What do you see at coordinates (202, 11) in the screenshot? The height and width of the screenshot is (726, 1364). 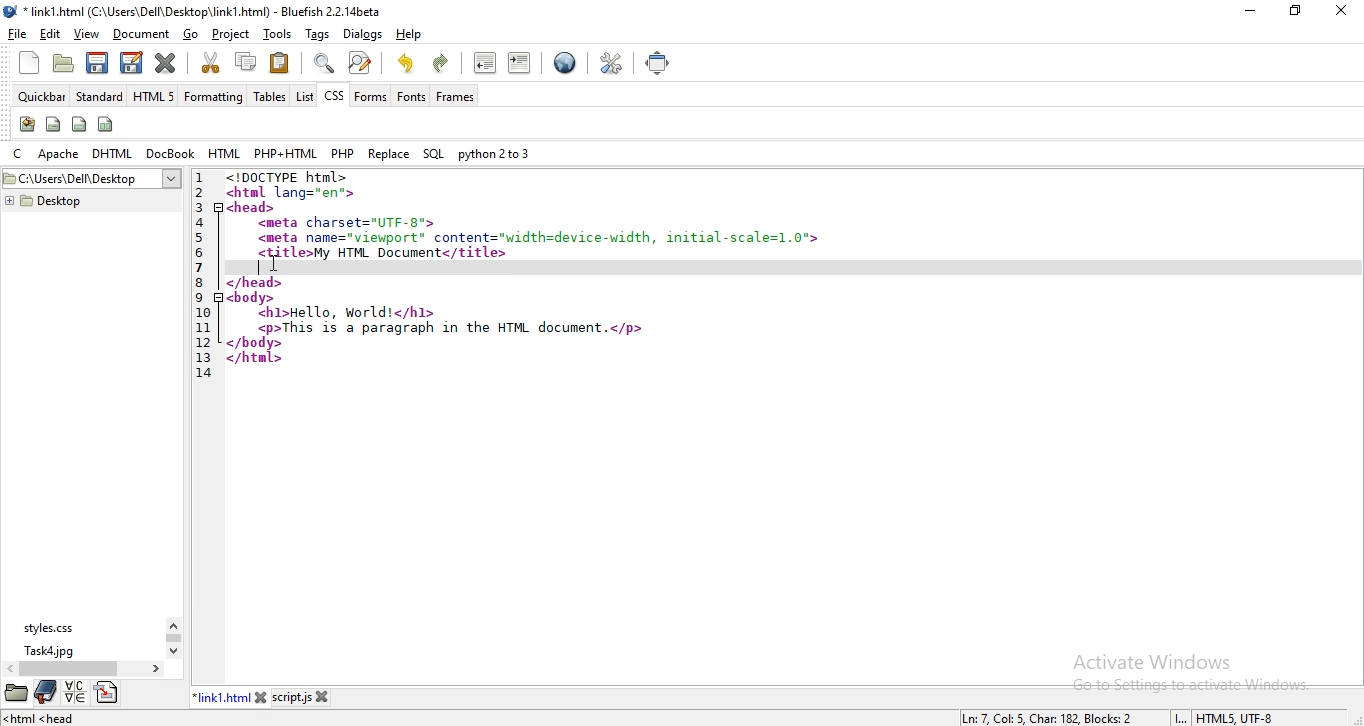 I see `title` at bounding box center [202, 11].